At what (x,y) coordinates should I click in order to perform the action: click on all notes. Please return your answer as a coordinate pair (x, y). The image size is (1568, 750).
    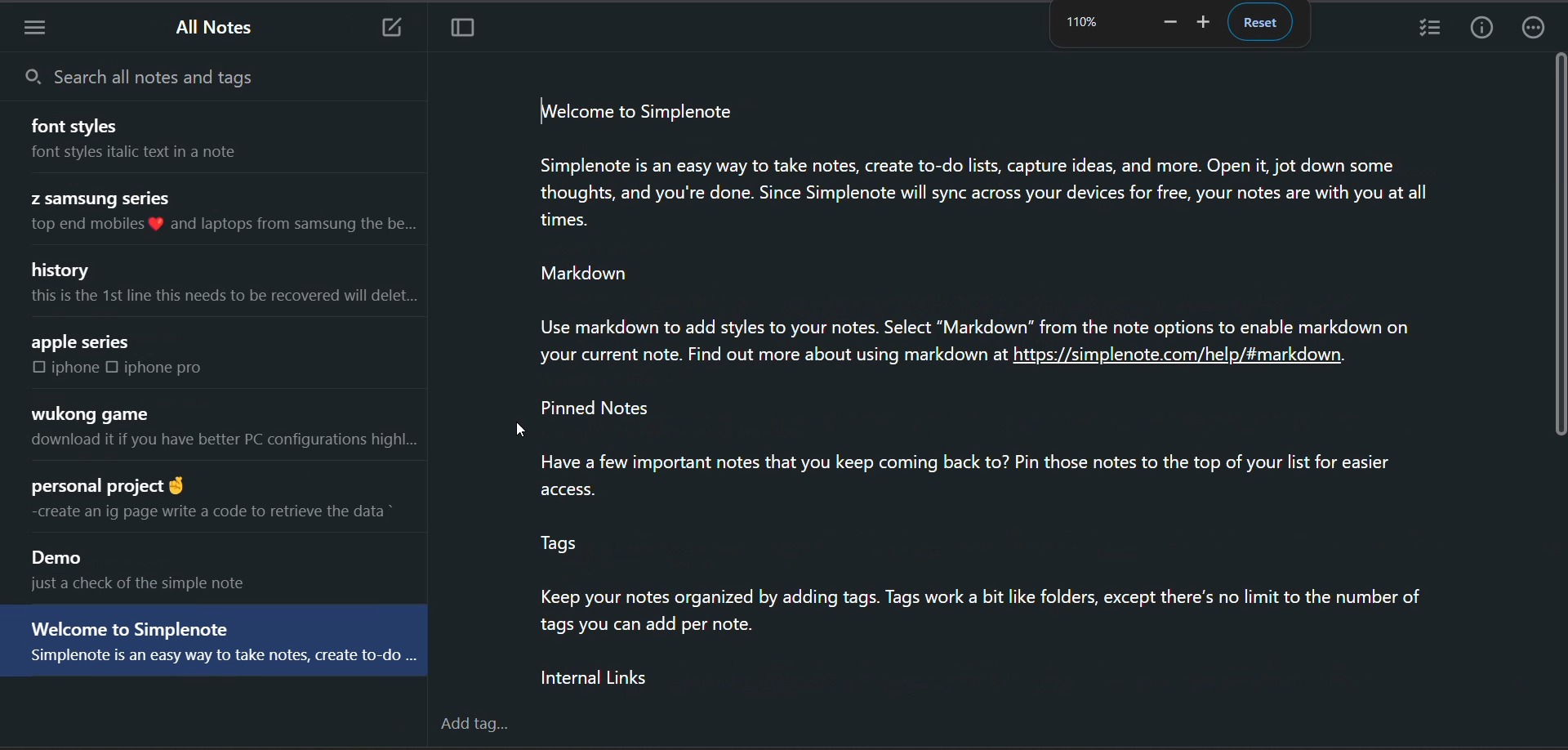
    Looking at the image, I should click on (220, 30).